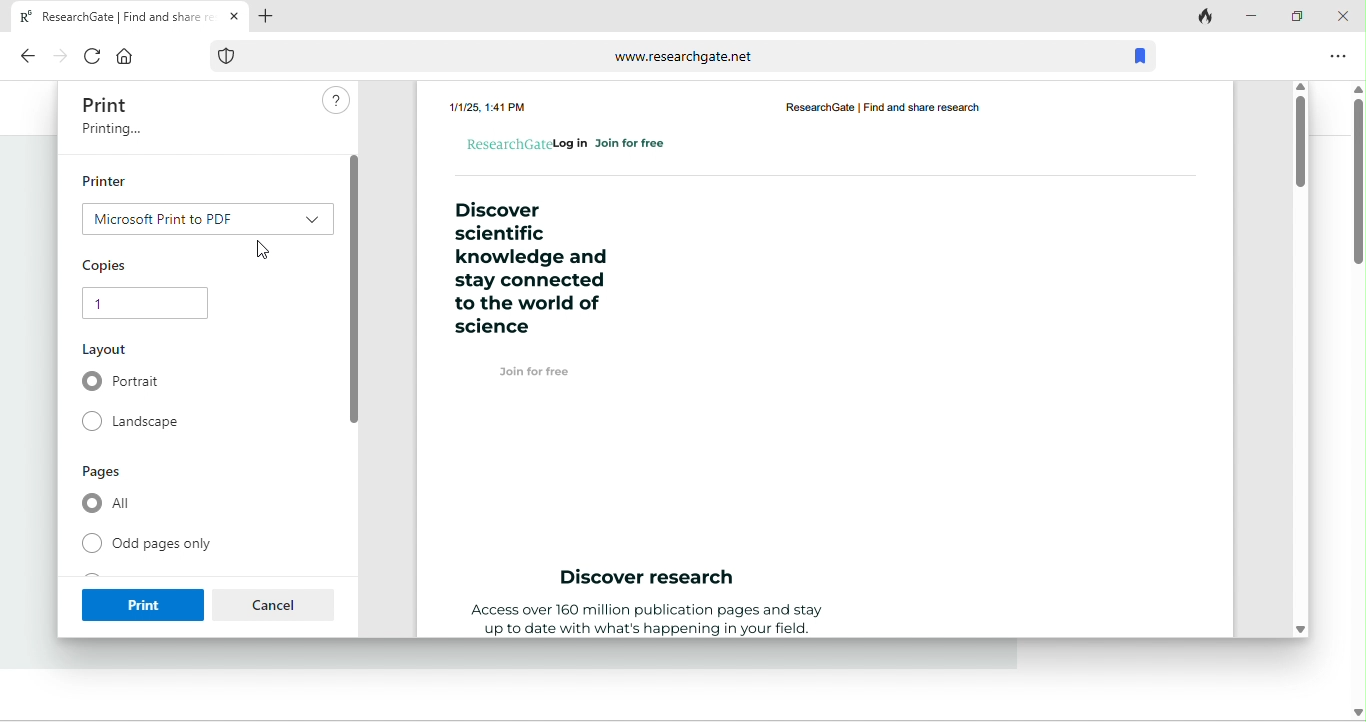 The width and height of the screenshot is (1366, 722). What do you see at coordinates (1337, 56) in the screenshot?
I see `option` at bounding box center [1337, 56].